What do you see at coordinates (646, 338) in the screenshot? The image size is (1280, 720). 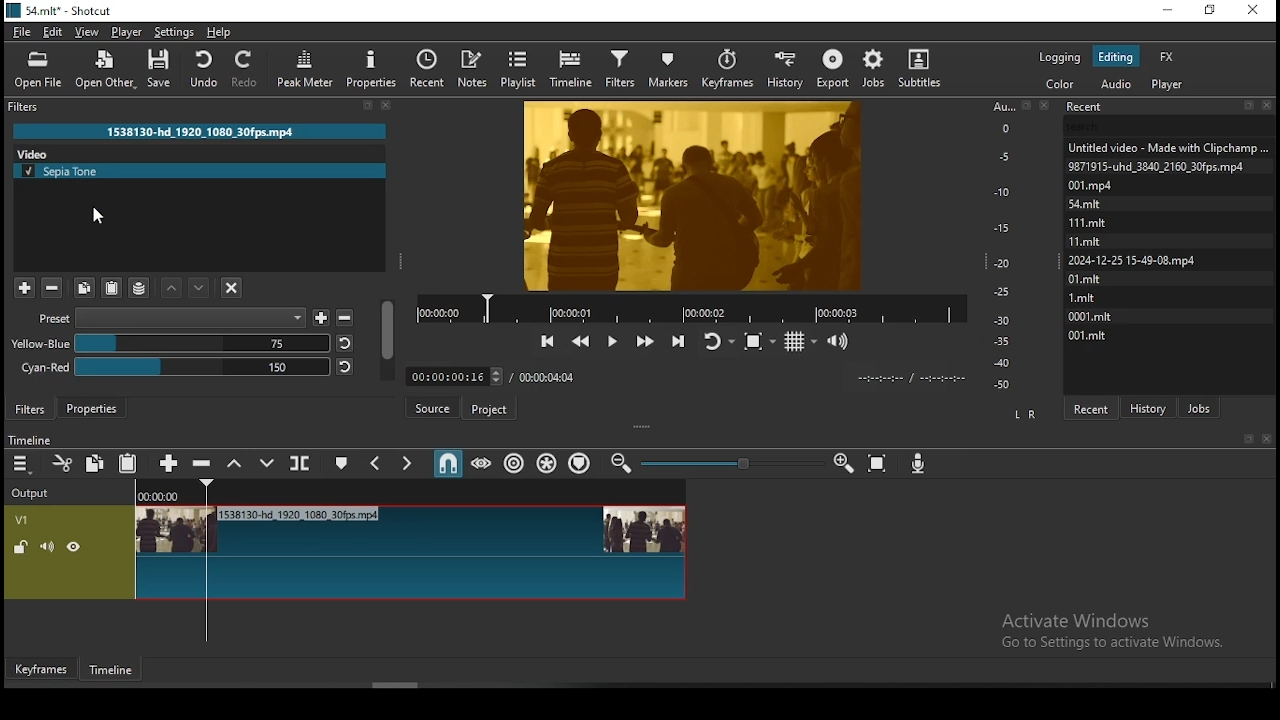 I see `play quickly forwards` at bounding box center [646, 338].